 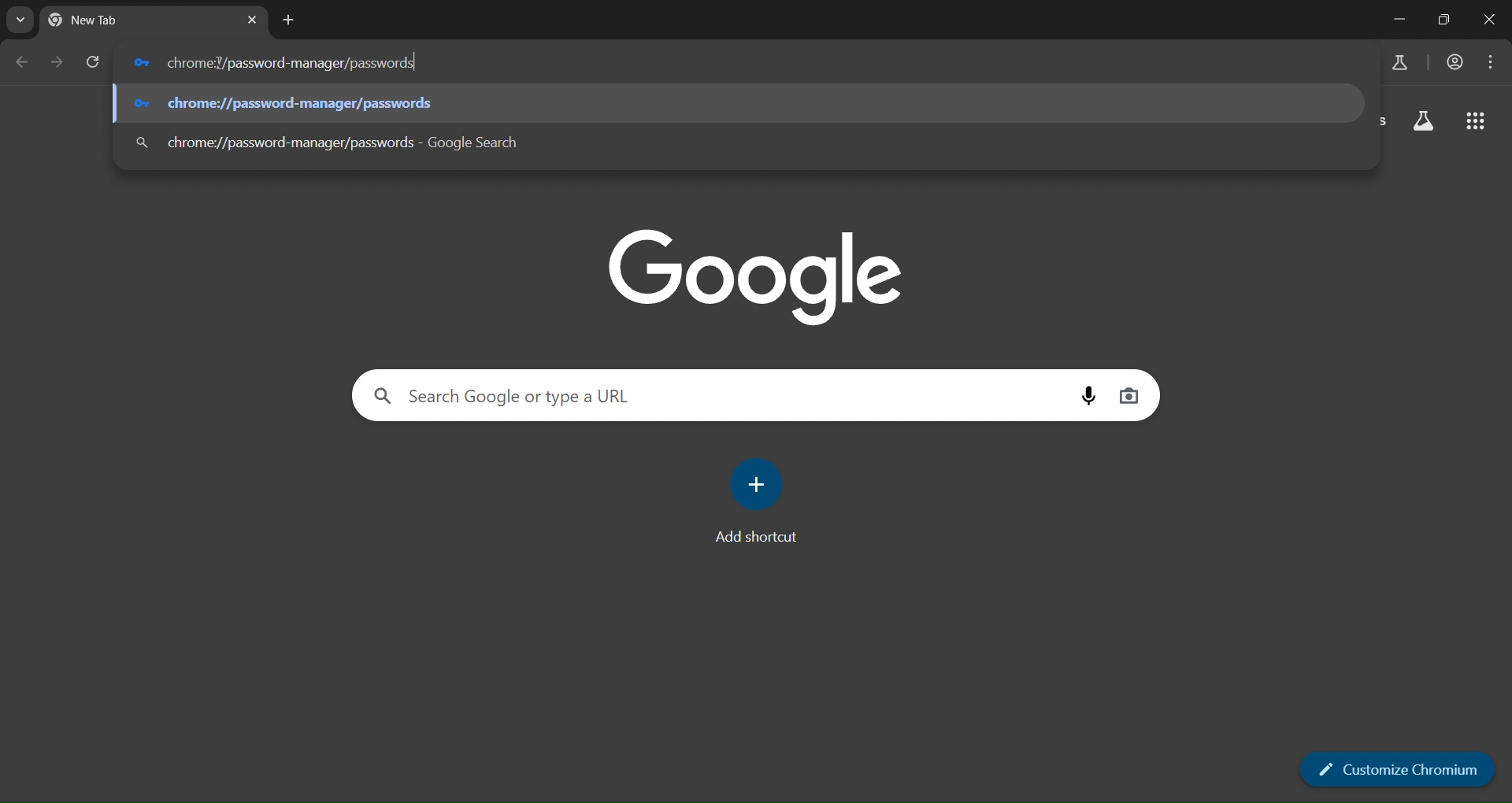 I want to click on voice search, so click(x=1131, y=397).